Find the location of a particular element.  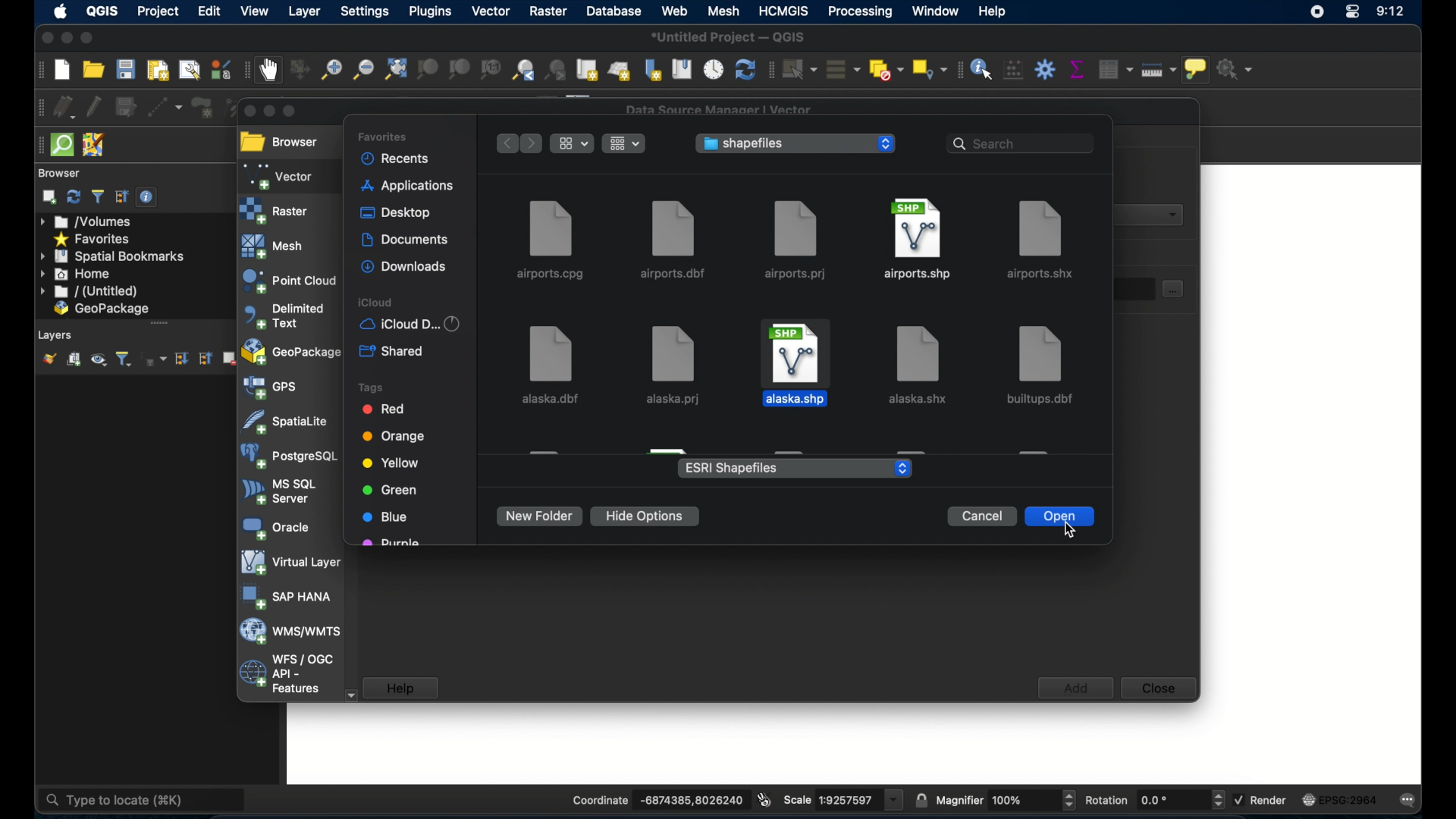

minimize is located at coordinates (271, 112).